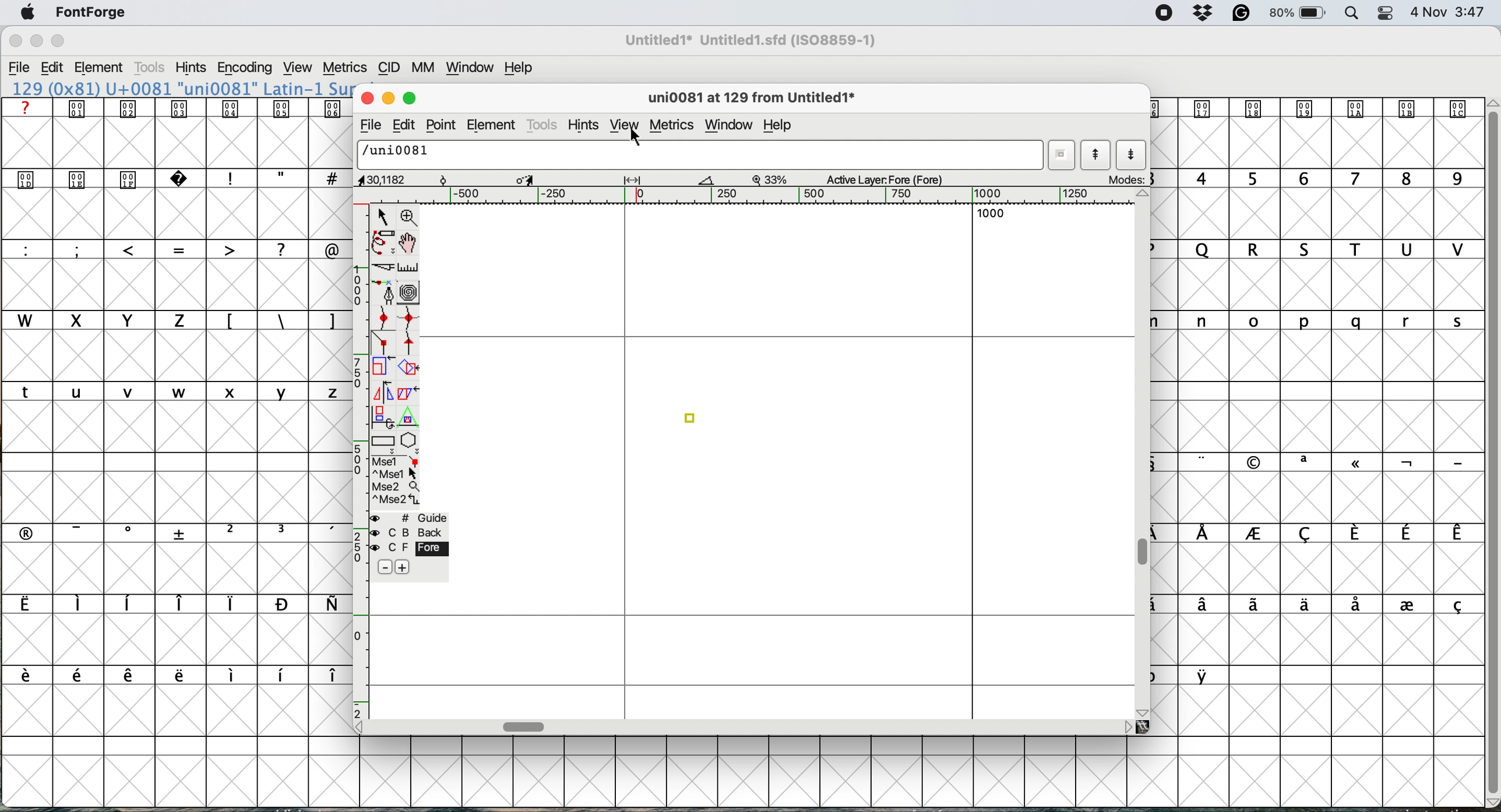 The height and width of the screenshot is (812, 1501). What do you see at coordinates (57, 41) in the screenshot?
I see `Maximize` at bounding box center [57, 41].